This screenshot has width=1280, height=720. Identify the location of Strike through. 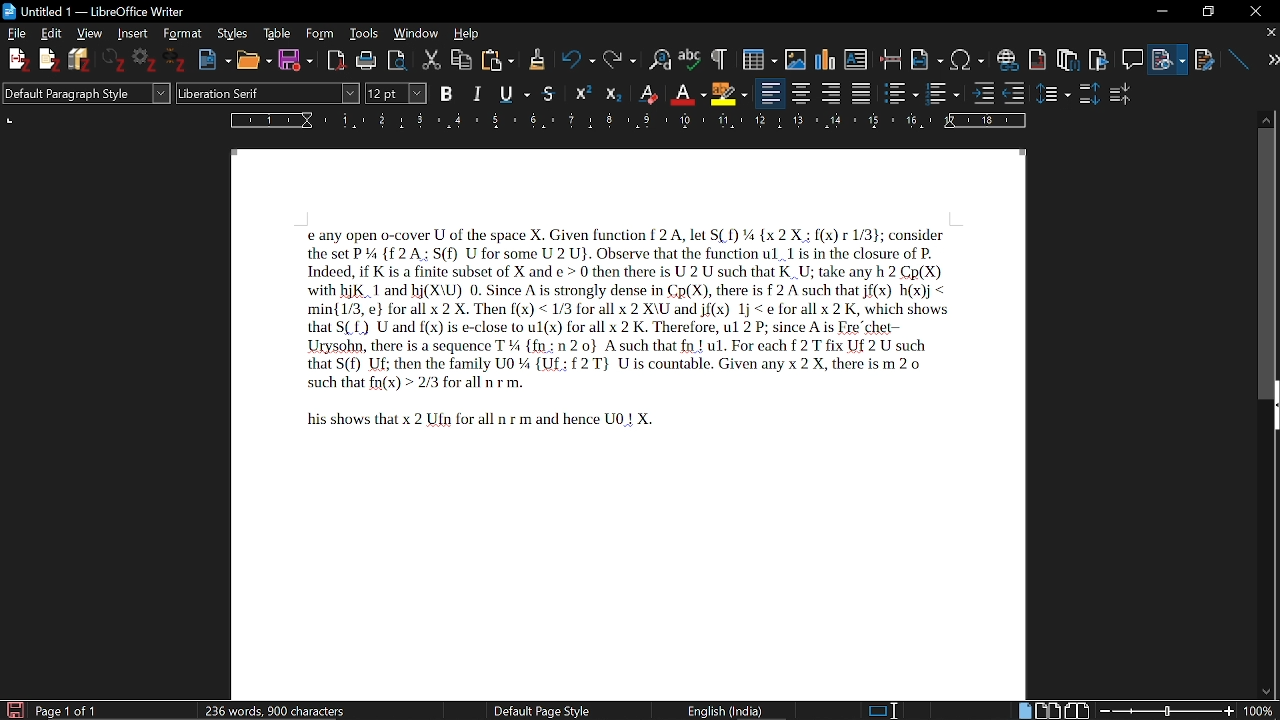
(550, 93).